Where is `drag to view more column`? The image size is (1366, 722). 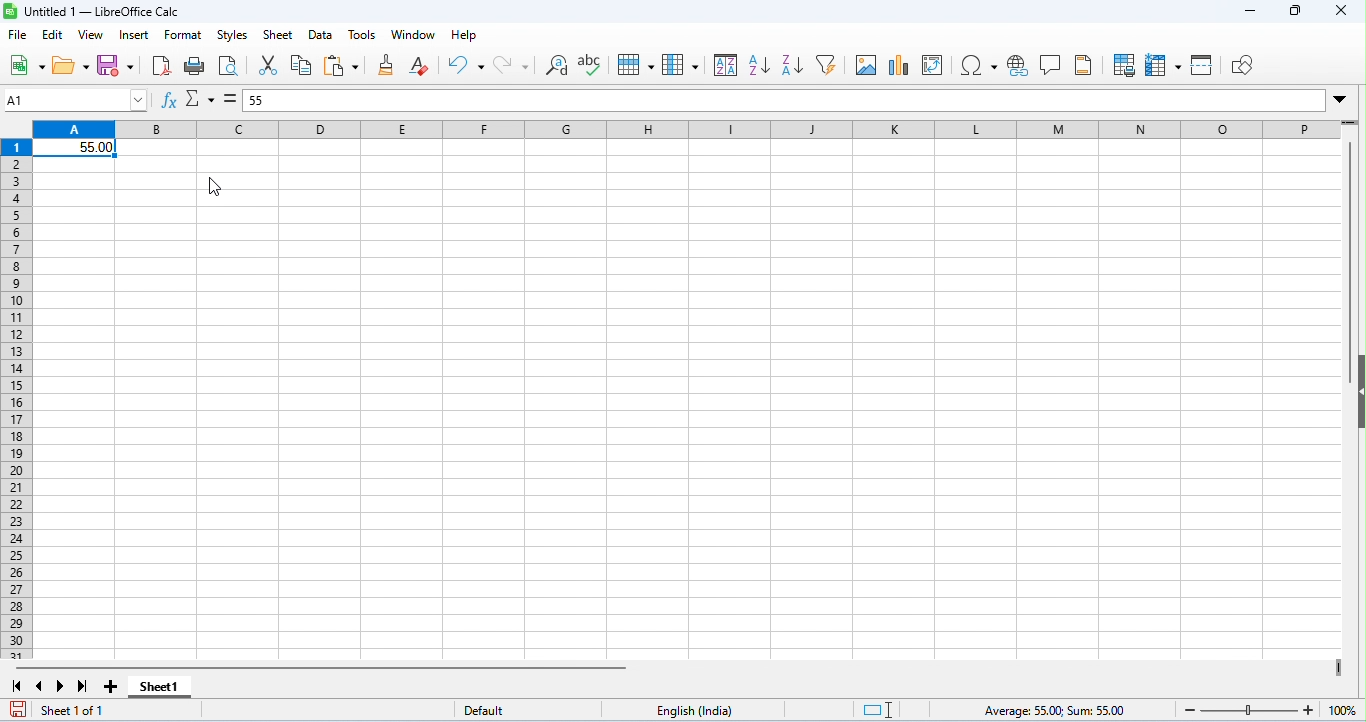
drag to view more column is located at coordinates (1336, 666).